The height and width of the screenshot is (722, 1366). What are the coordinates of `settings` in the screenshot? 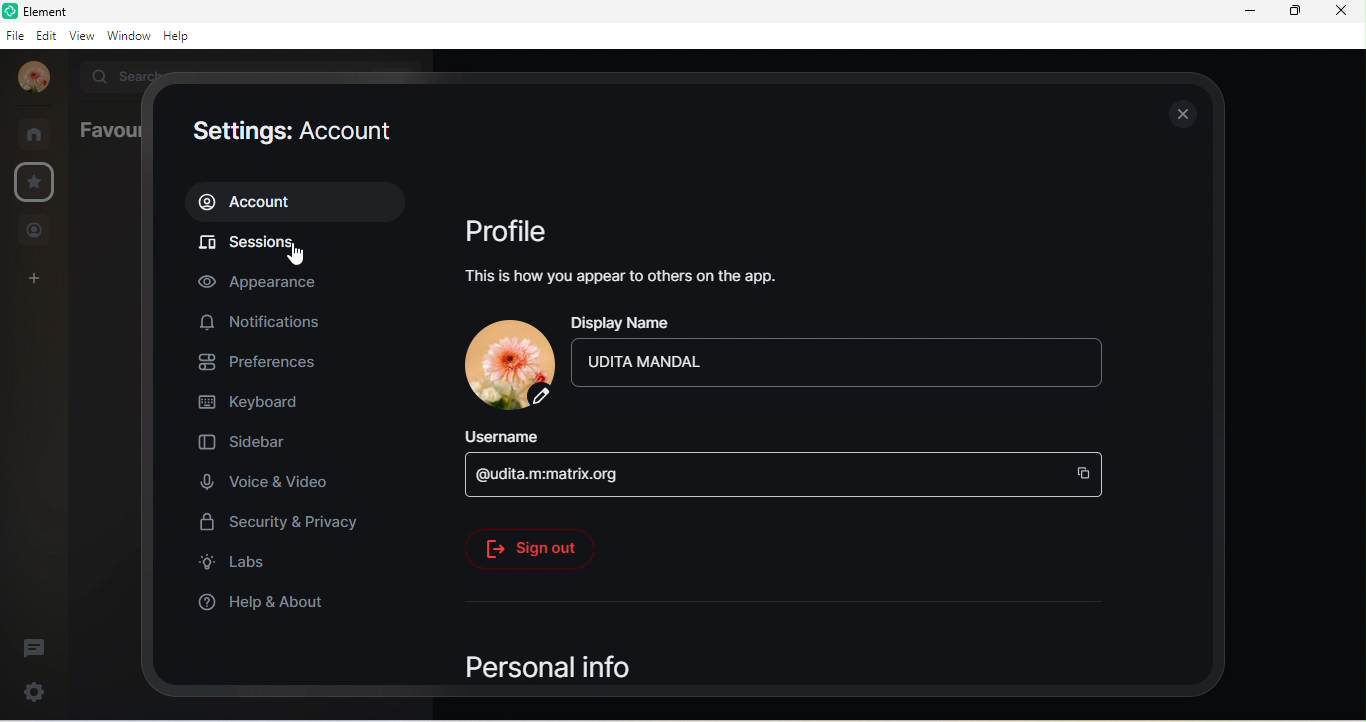 It's located at (37, 181).